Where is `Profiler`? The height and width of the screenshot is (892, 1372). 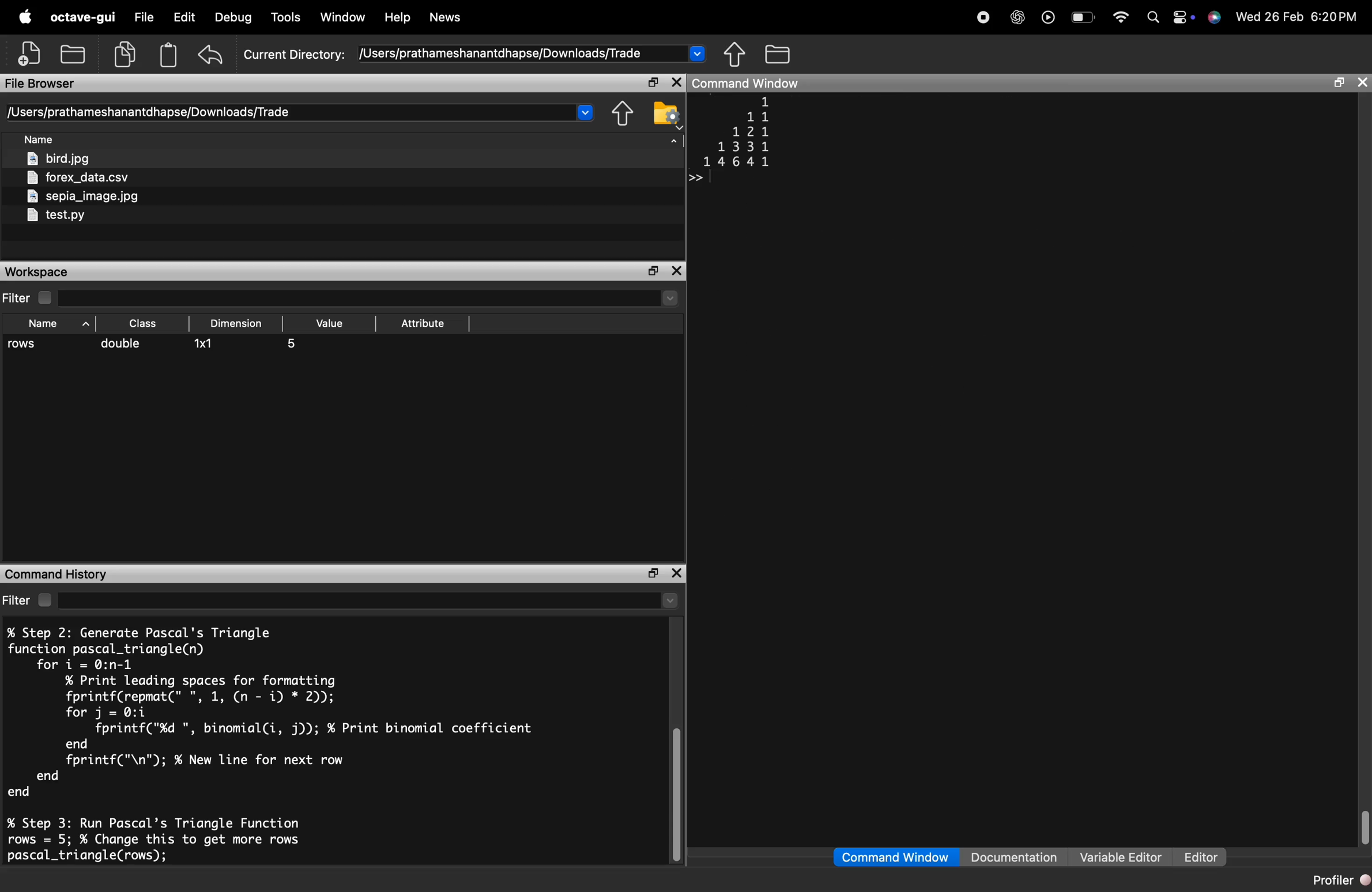 Profiler is located at coordinates (1340, 879).